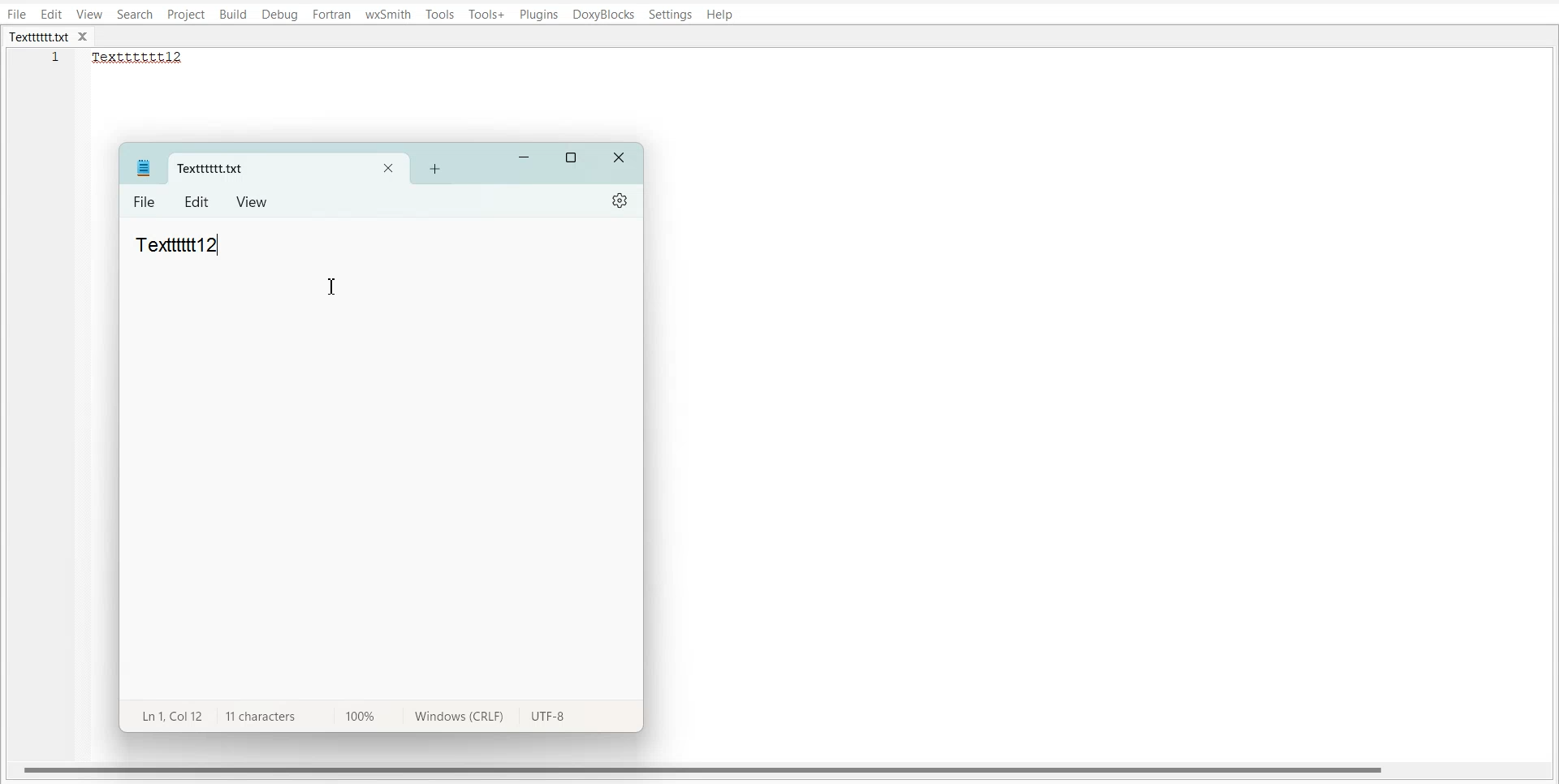  What do you see at coordinates (143, 167) in the screenshot?
I see `Logo` at bounding box center [143, 167].